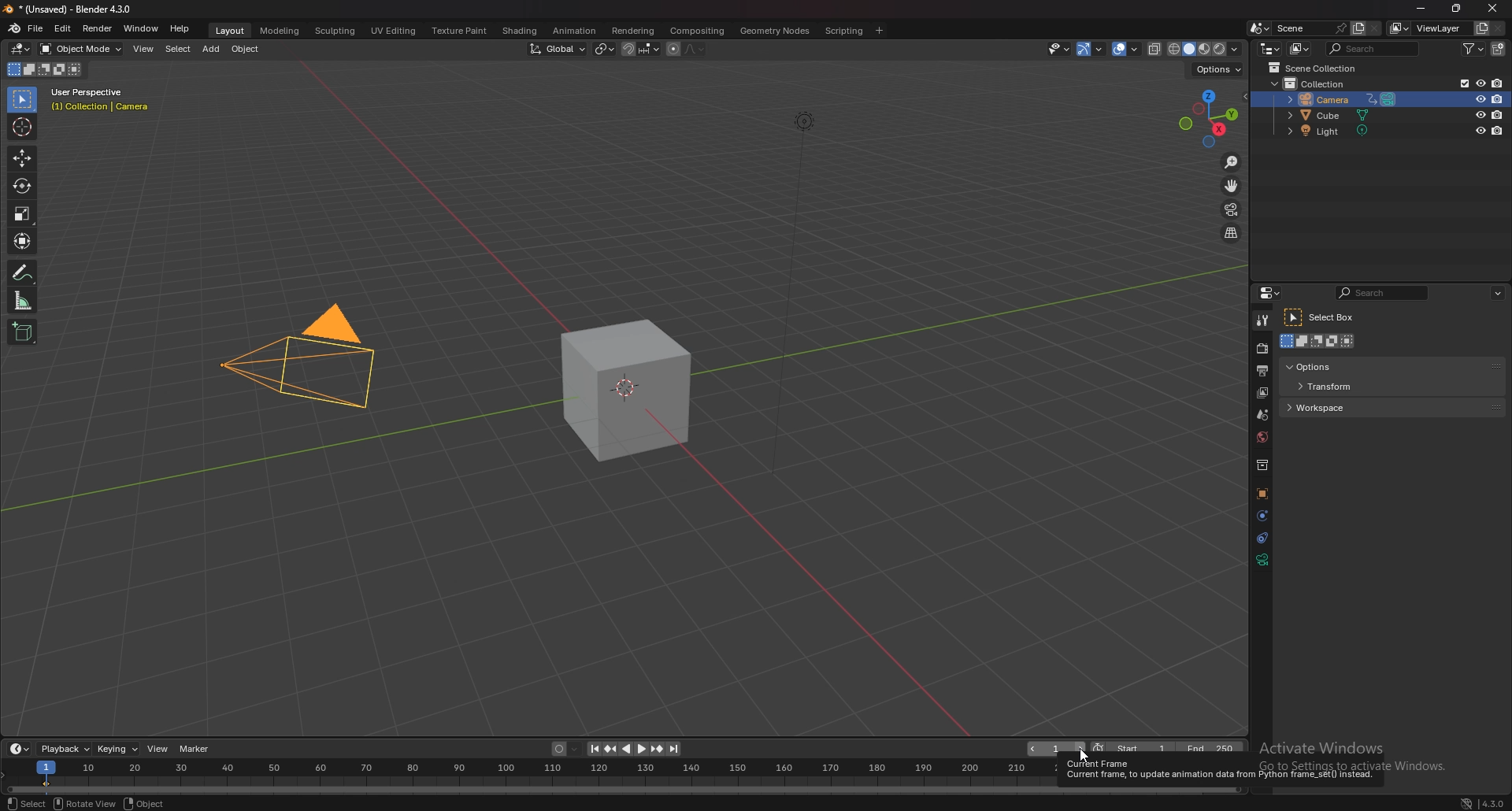 The image size is (1512, 811). I want to click on scene, so click(1308, 28).